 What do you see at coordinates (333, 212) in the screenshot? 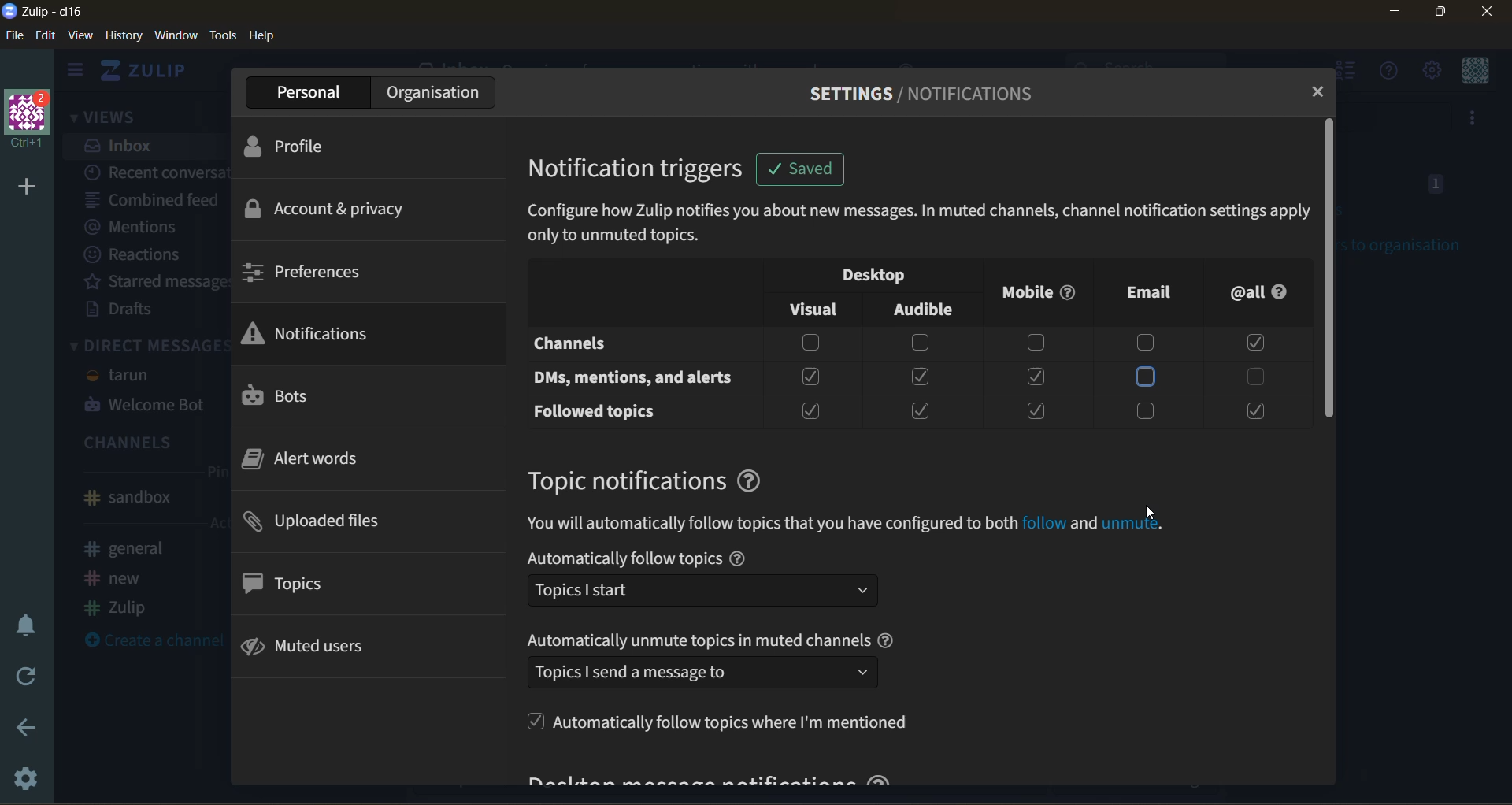
I see `account & privacy` at bounding box center [333, 212].